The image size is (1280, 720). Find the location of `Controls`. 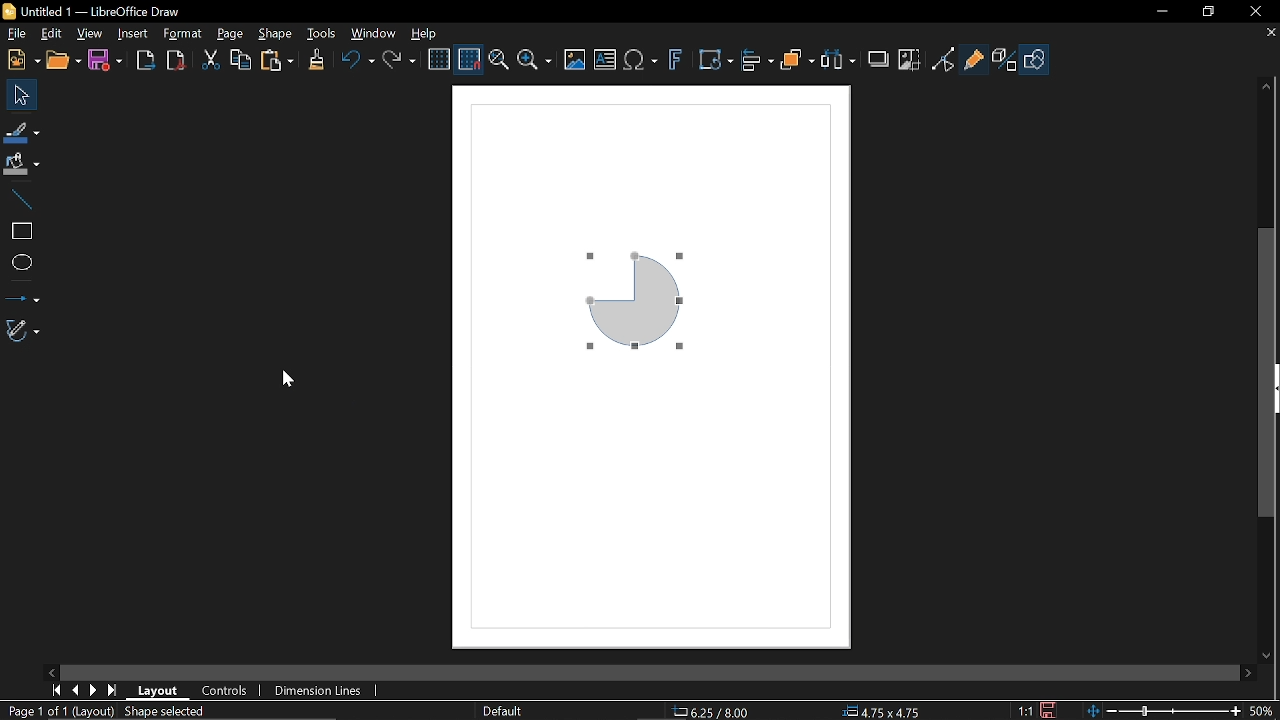

Controls is located at coordinates (223, 690).